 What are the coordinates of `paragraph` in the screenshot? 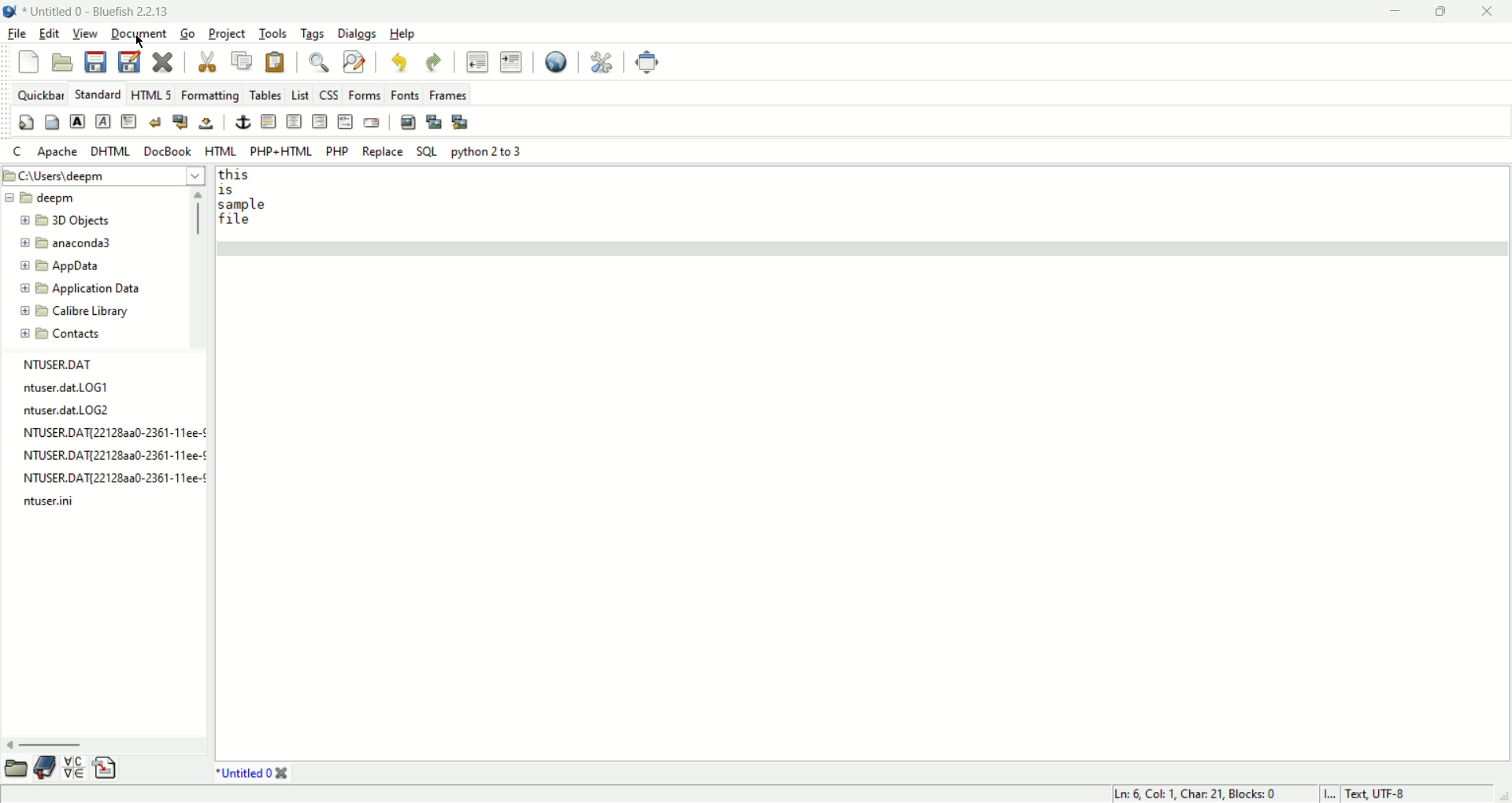 It's located at (129, 120).